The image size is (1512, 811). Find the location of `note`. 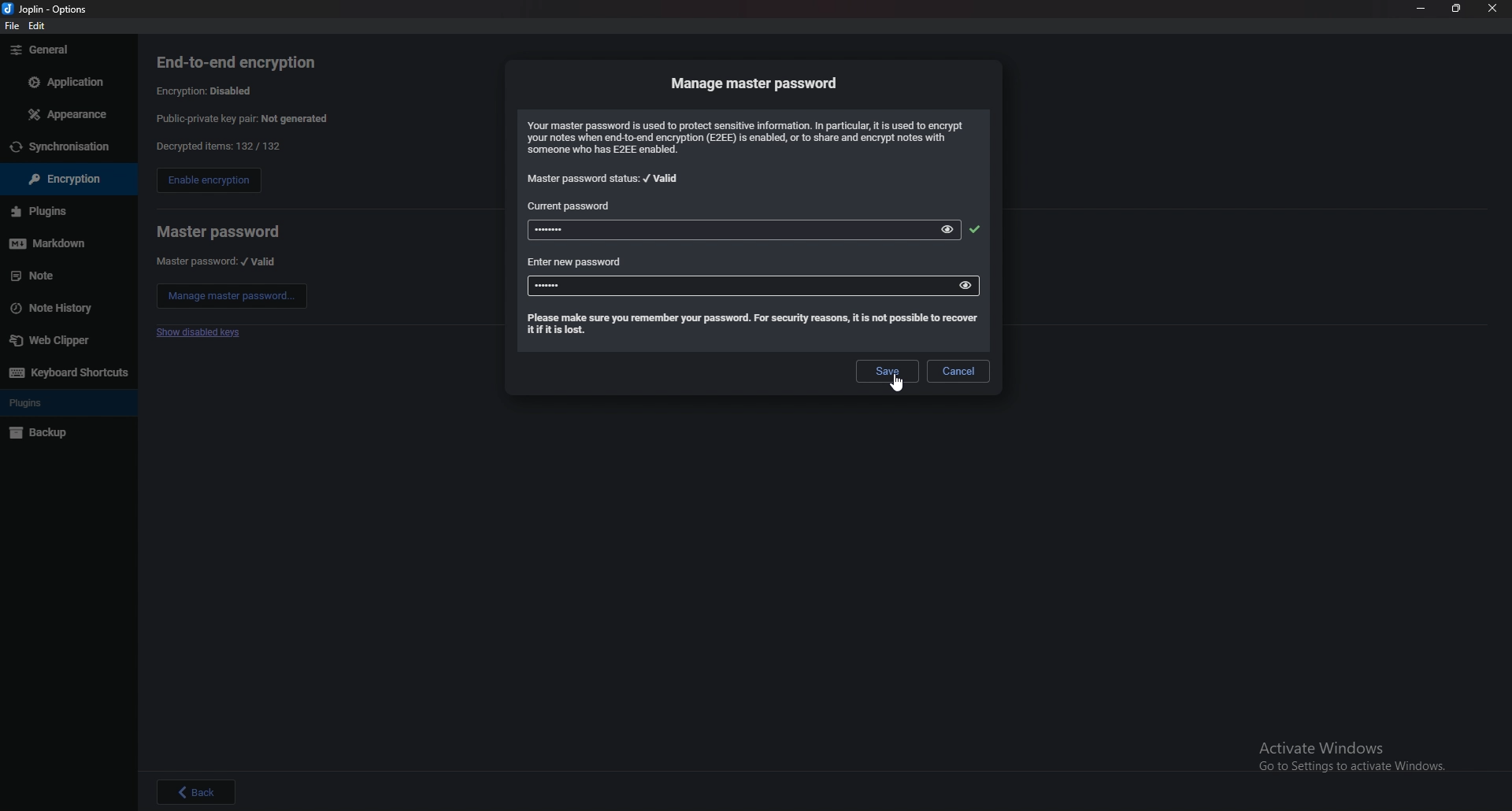

note is located at coordinates (63, 276).